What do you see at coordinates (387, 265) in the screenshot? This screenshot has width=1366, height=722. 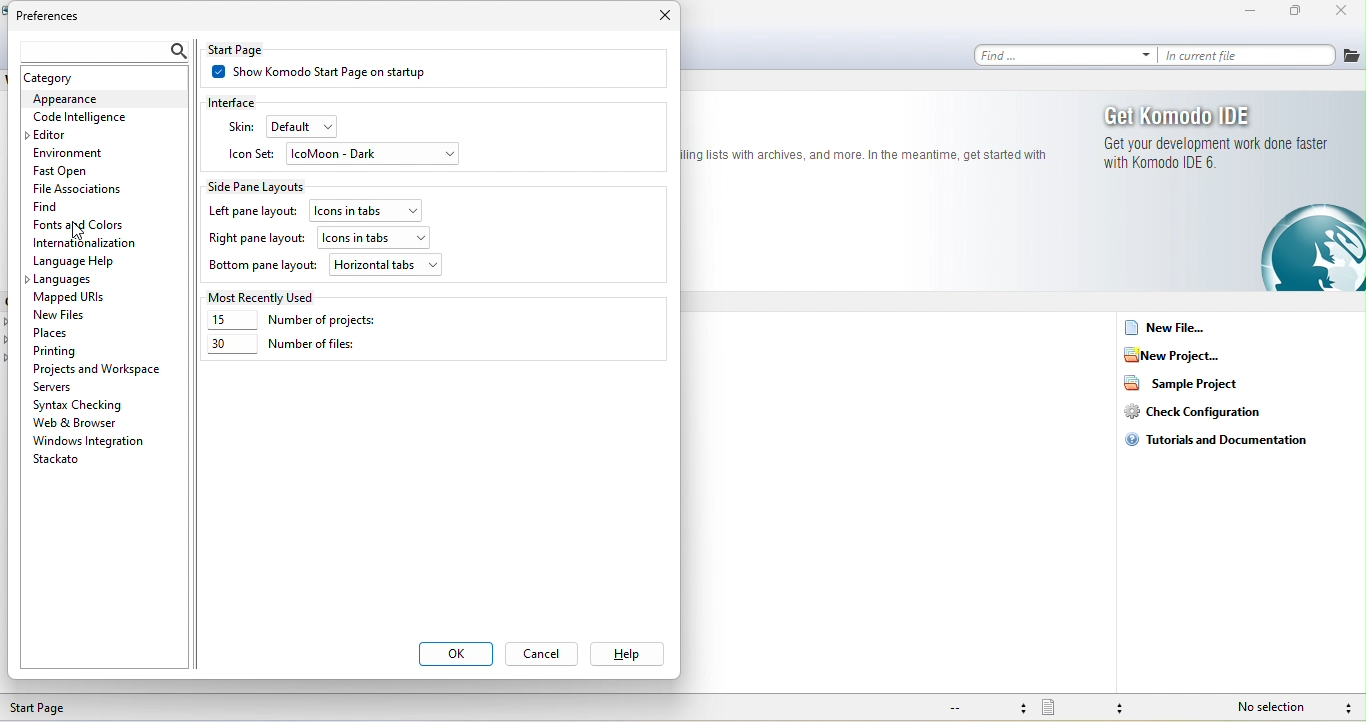 I see `horizontal tabs` at bounding box center [387, 265].